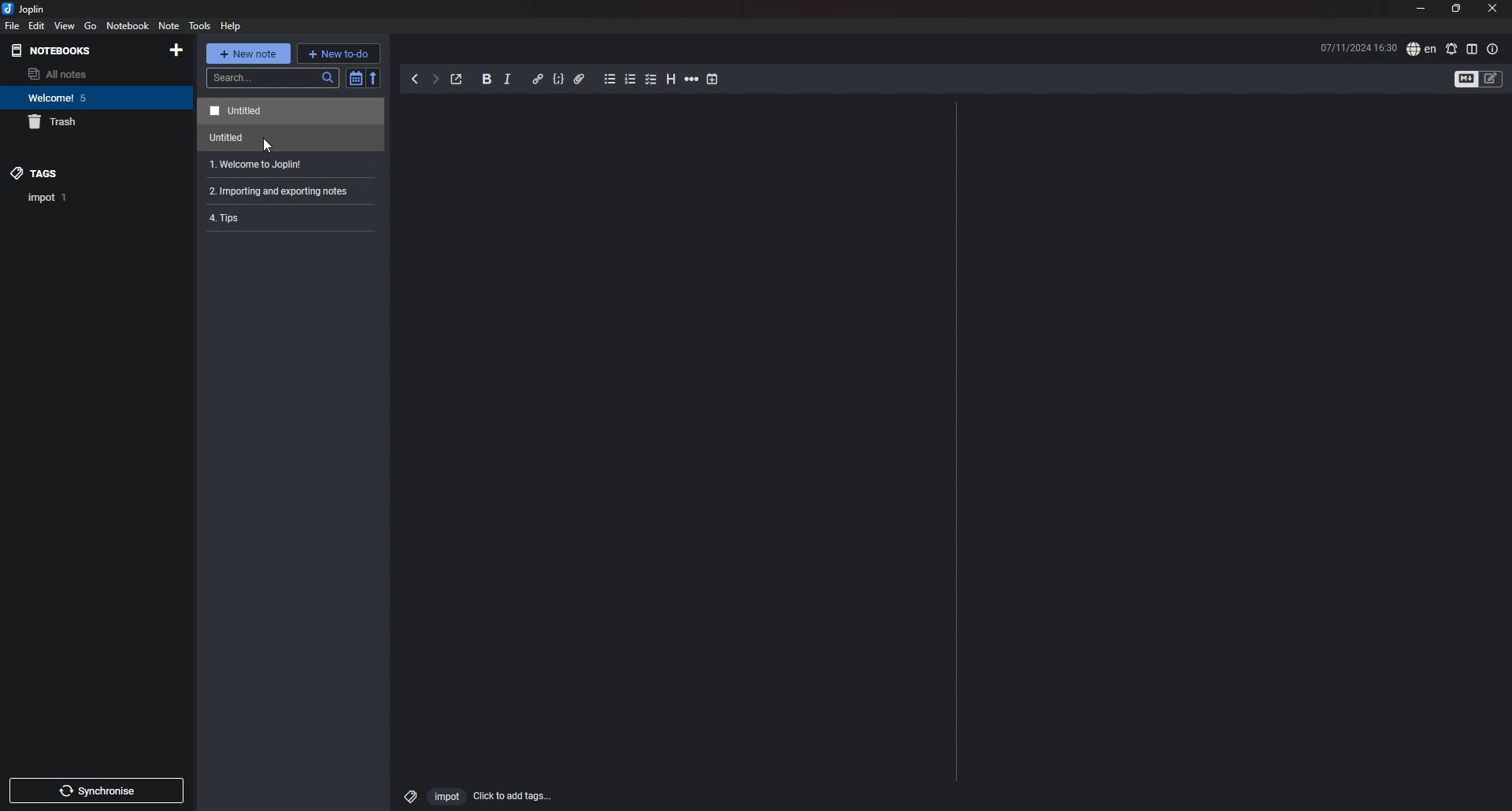 The height and width of the screenshot is (811, 1512). I want to click on numbered list, so click(631, 79).